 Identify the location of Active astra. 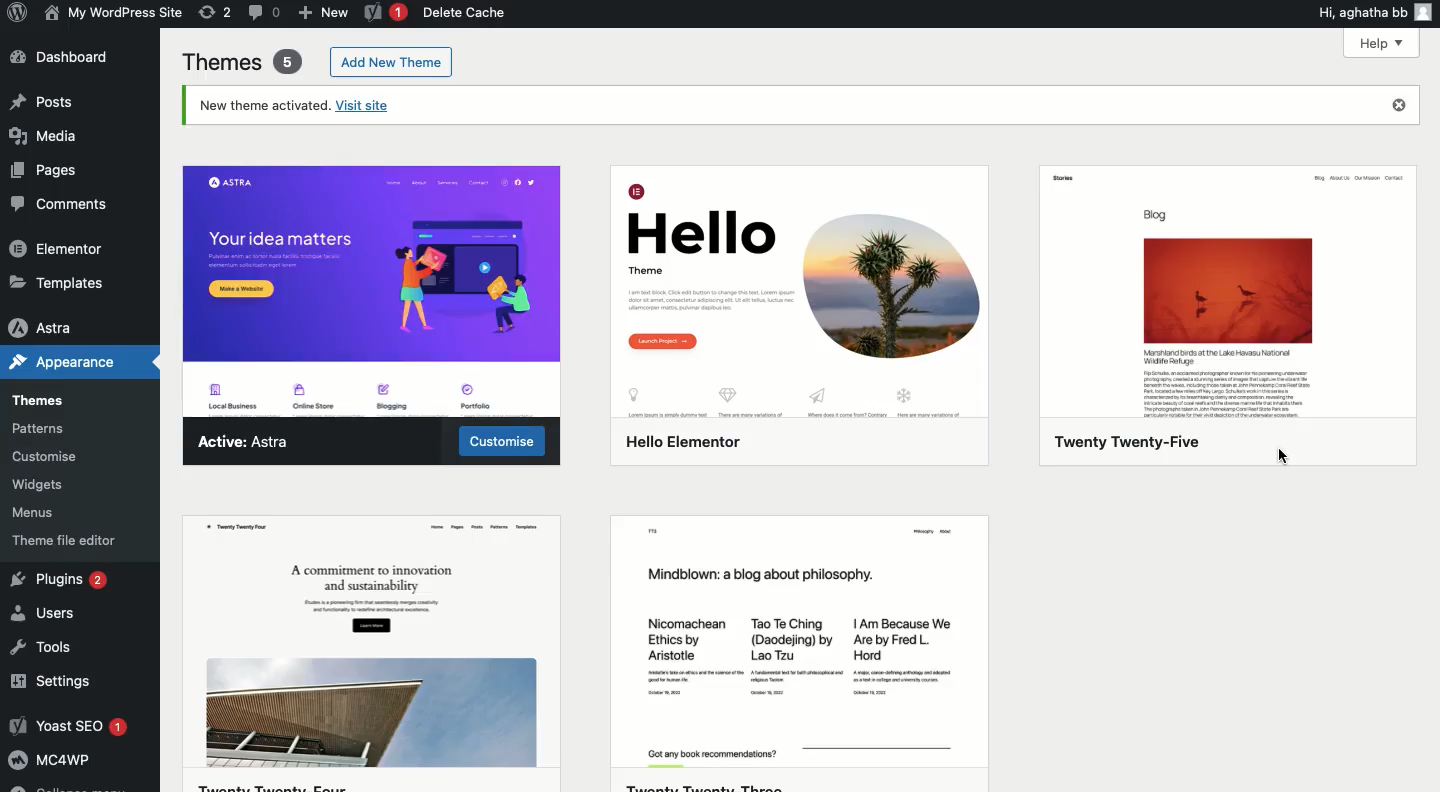
(245, 440).